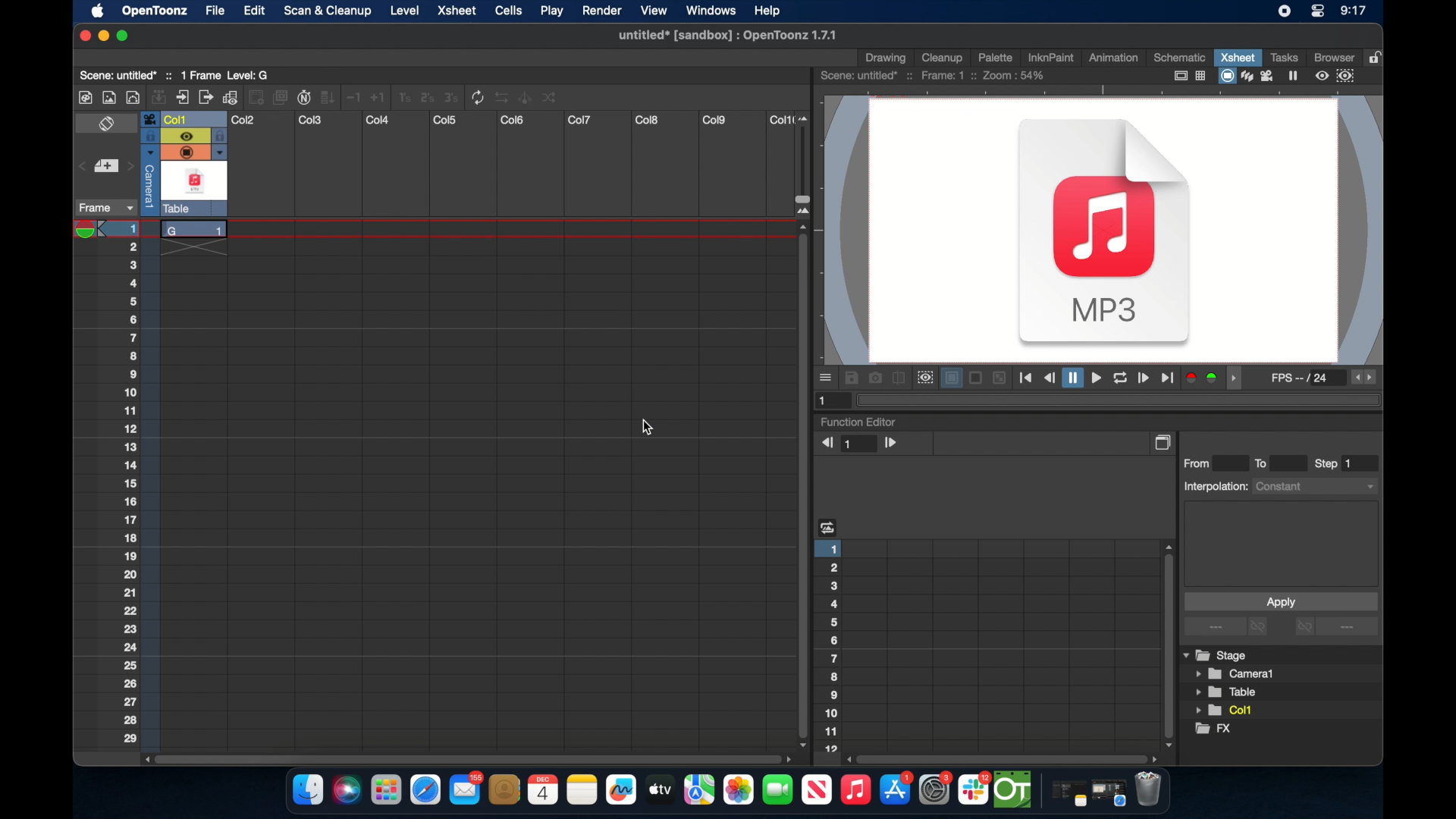  I want to click on calendar, so click(542, 789).